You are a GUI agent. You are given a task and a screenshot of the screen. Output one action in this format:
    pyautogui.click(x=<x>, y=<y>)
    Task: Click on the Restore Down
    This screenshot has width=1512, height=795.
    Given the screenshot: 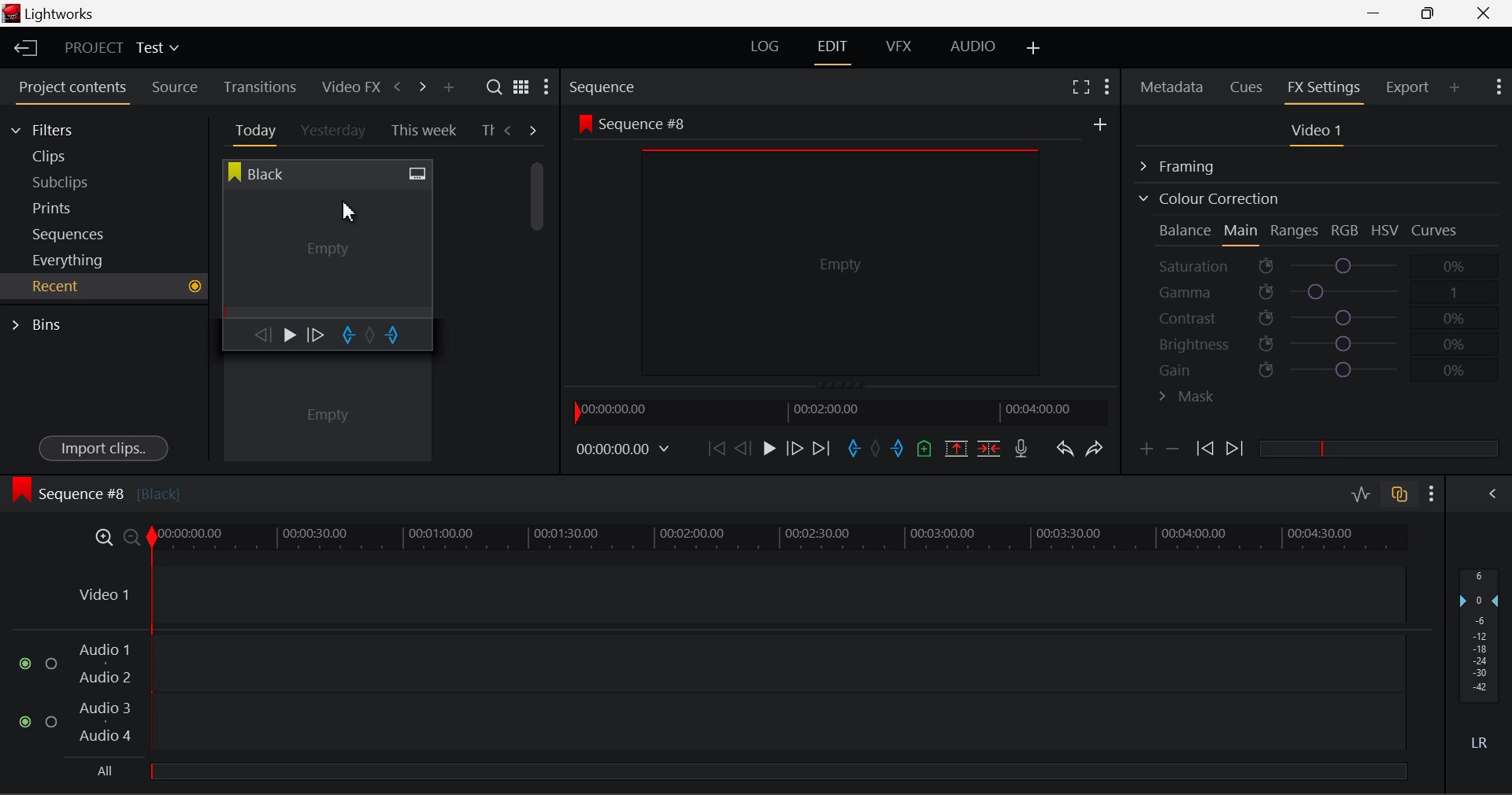 What is the action you would take?
    pyautogui.click(x=1379, y=13)
    